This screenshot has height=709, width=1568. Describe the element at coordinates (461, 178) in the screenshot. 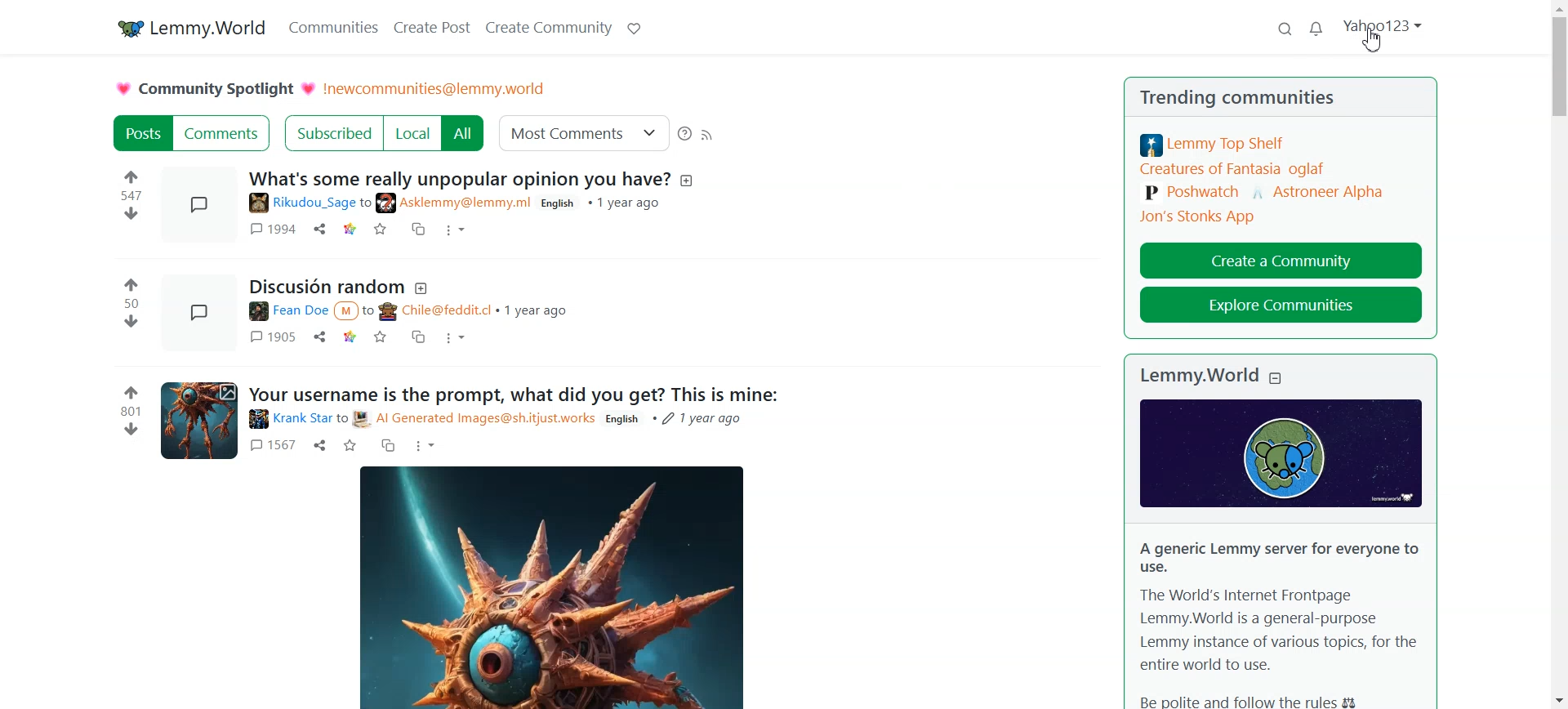

I see `What's some really unpopular opinion you have?` at that location.